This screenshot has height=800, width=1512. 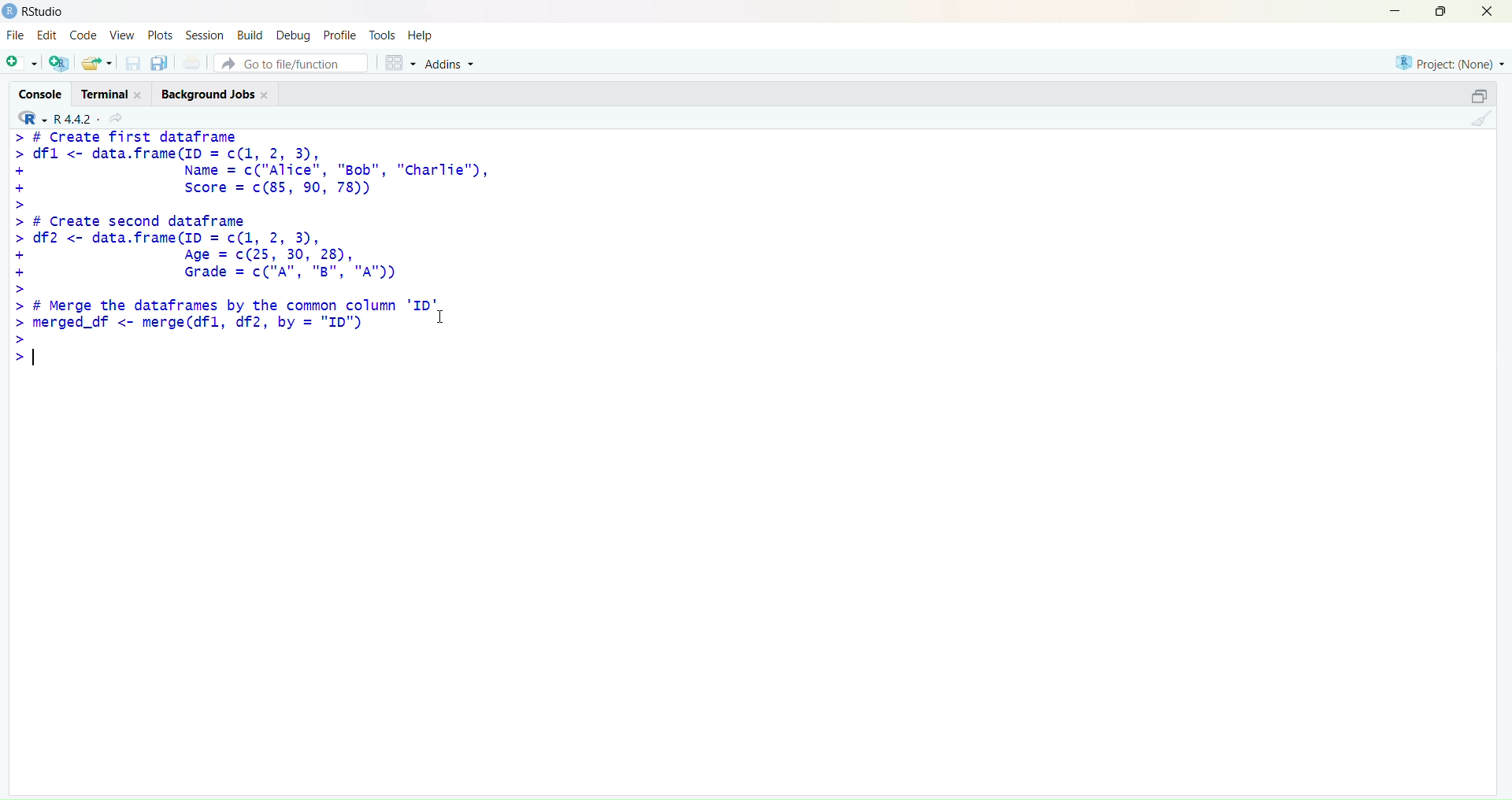 What do you see at coordinates (54, 117) in the screenshot?
I see `R 4.4.2` at bounding box center [54, 117].